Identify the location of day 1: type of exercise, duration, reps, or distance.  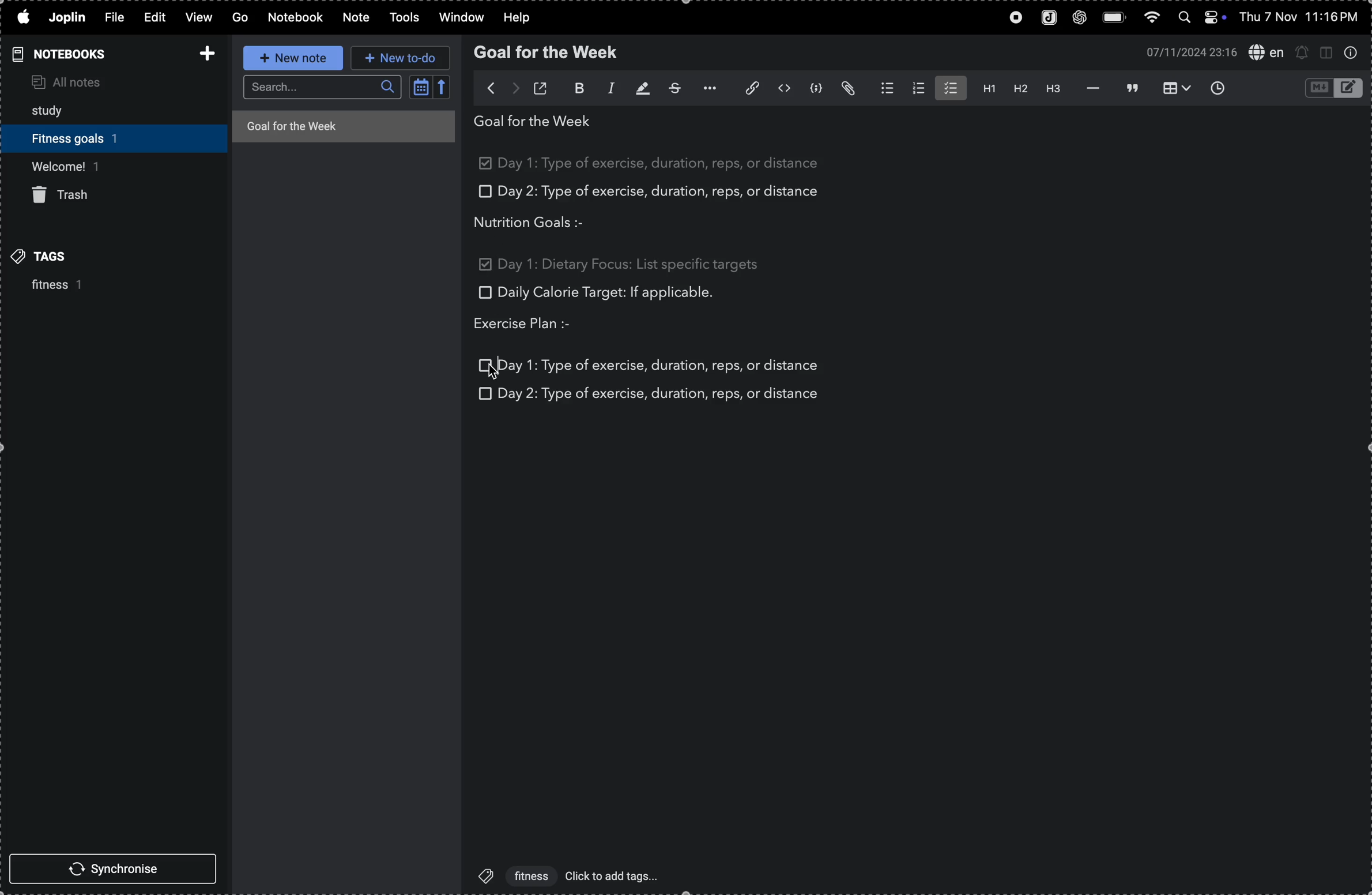
(661, 363).